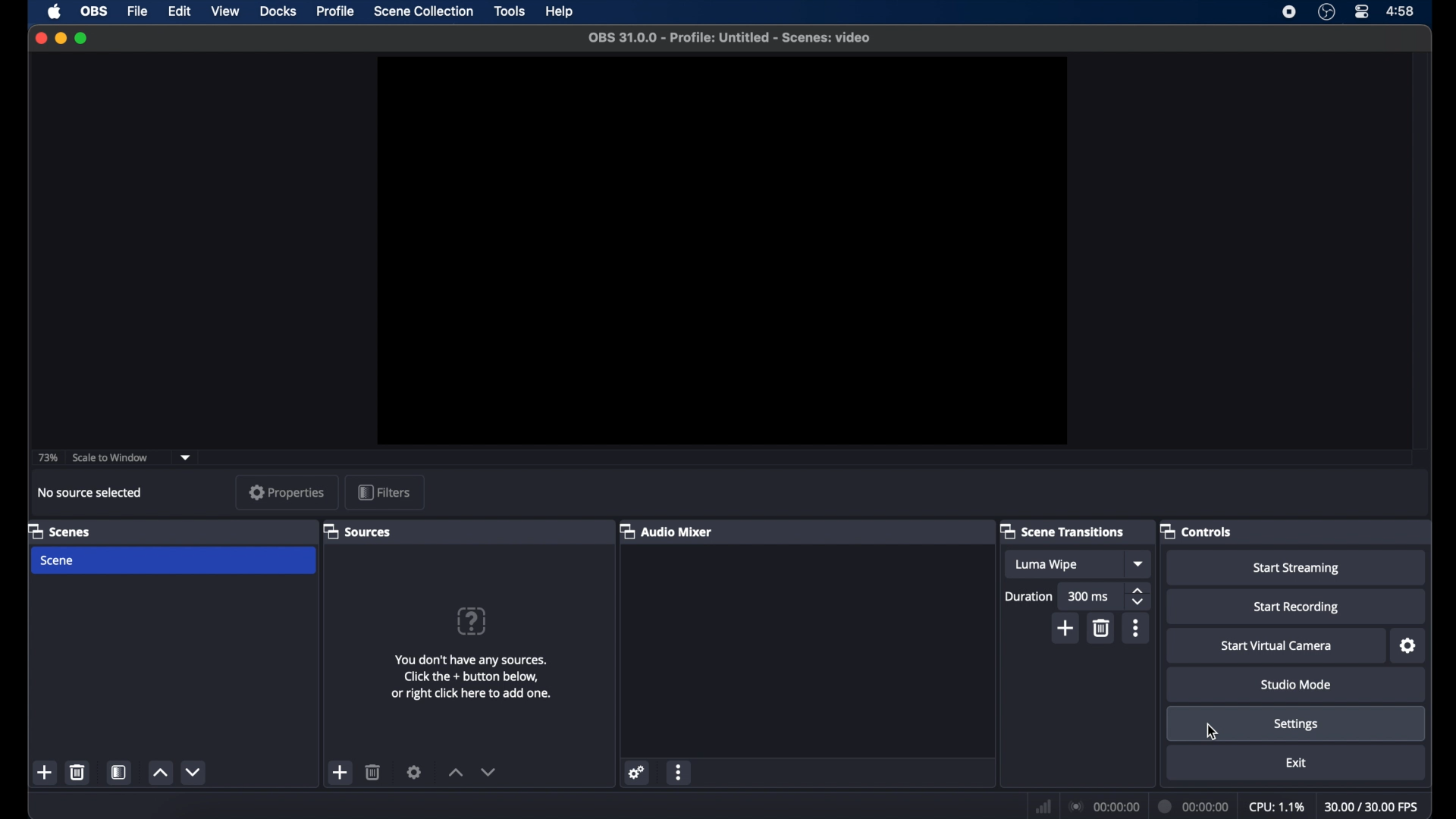 Image resolution: width=1456 pixels, height=819 pixels. What do you see at coordinates (278, 11) in the screenshot?
I see `docks` at bounding box center [278, 11].